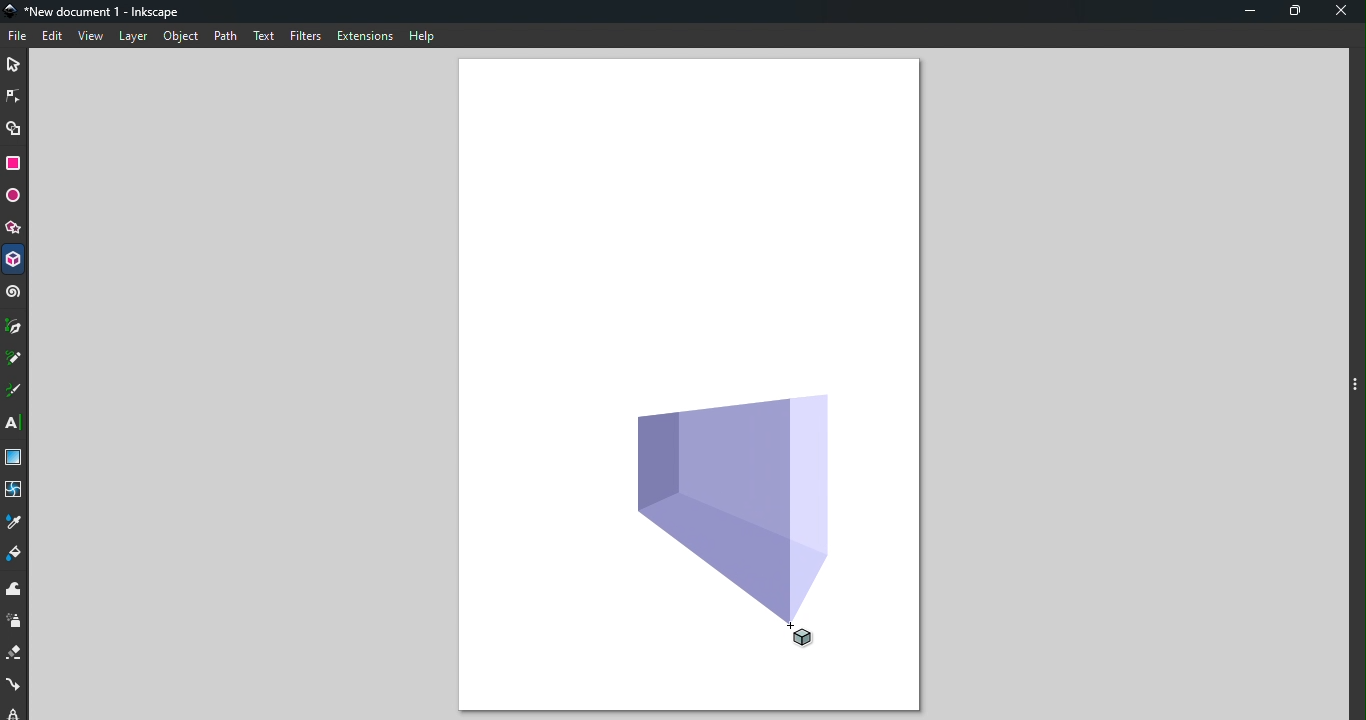  What do you see at coordinates (15, 655) in the screenshot?
I see `Eraser tool` at bounding box center [15, 655].